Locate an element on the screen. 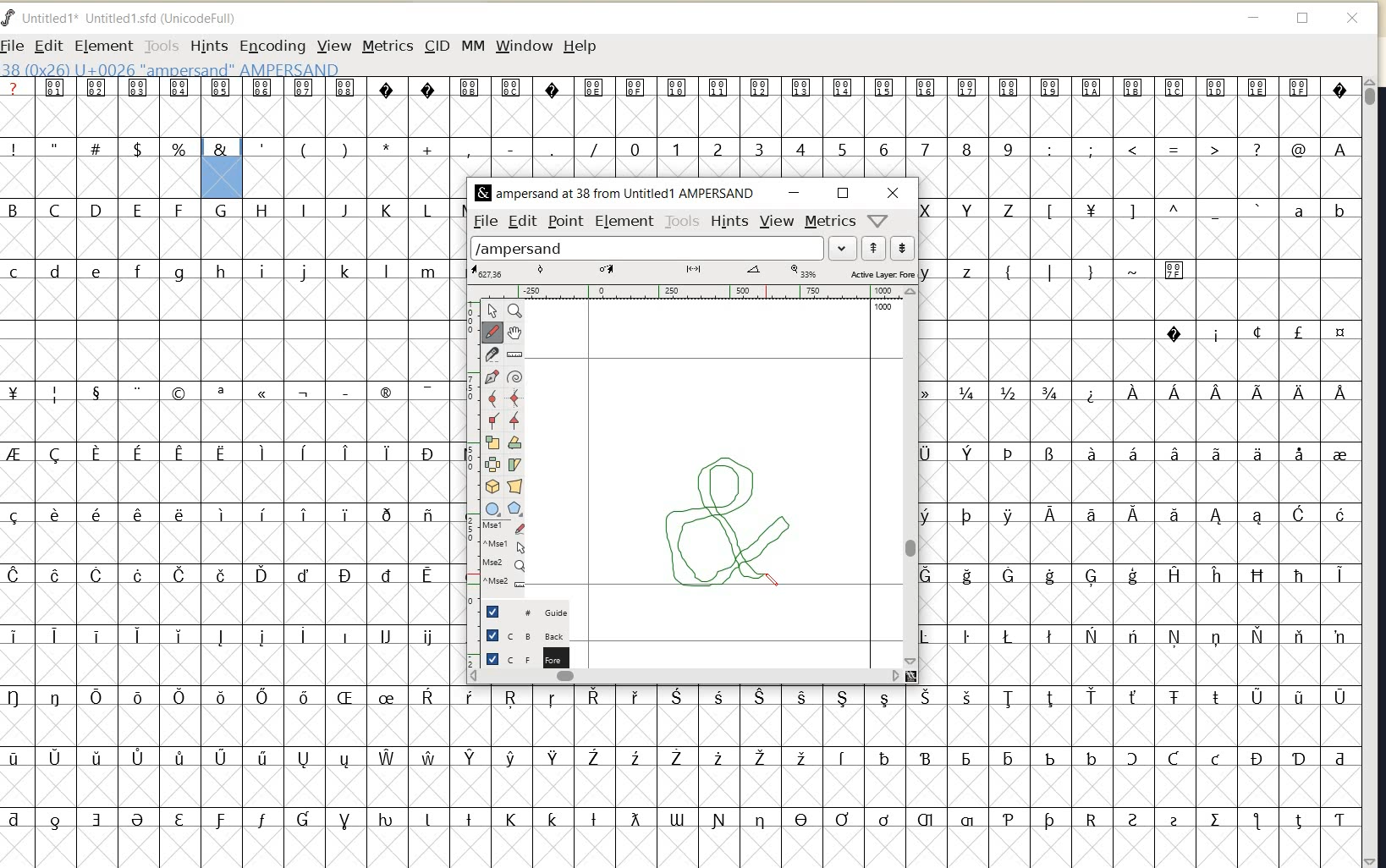 Image resolution: width=1386 pixels, height=868 pixels. ACTIVE LAYER is located at coordinates (693, 272).